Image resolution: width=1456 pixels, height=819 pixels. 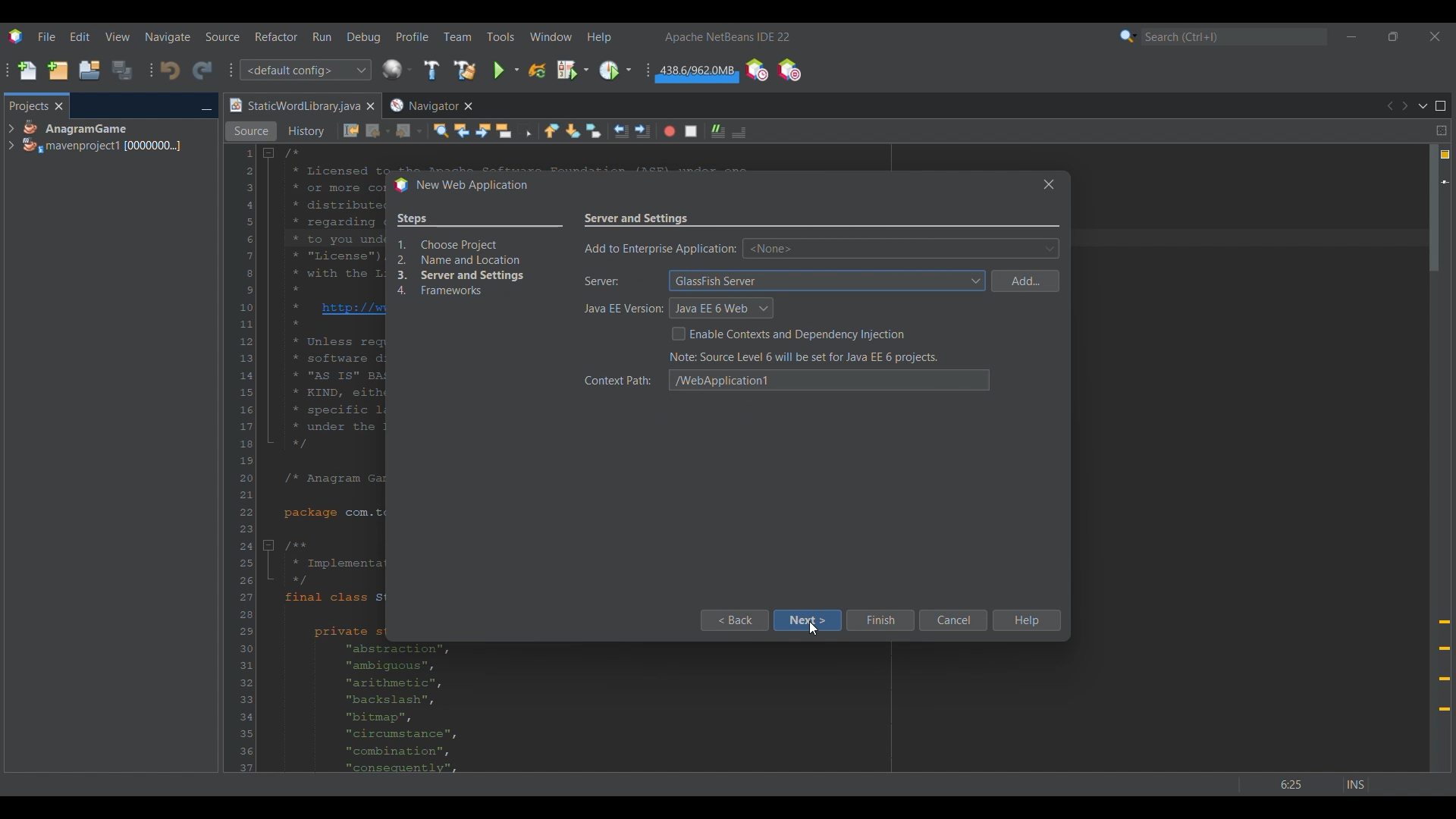 I want to click on Show in smaller tab, so click(x=1393, y=36).